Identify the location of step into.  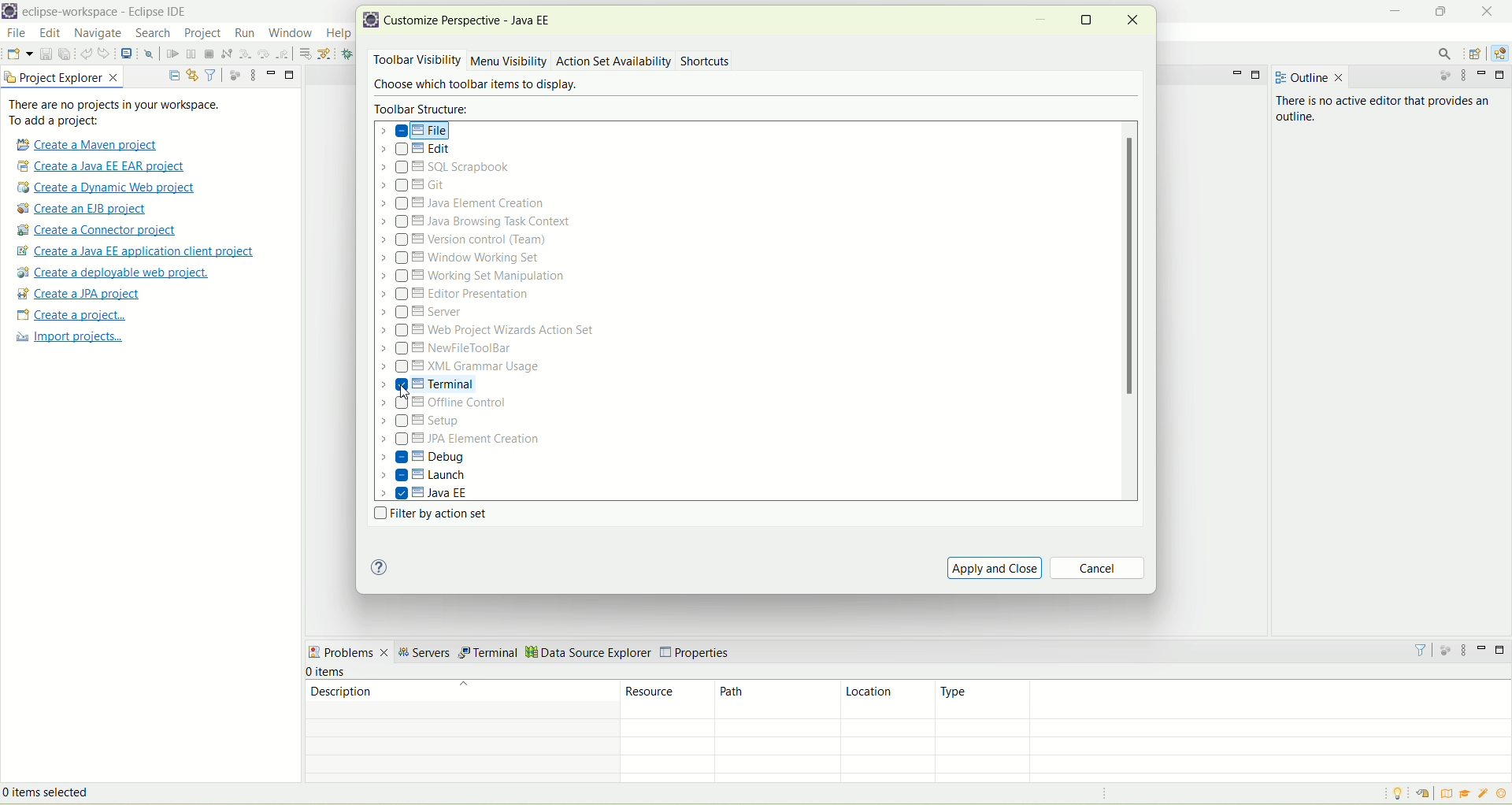
(246, 56).